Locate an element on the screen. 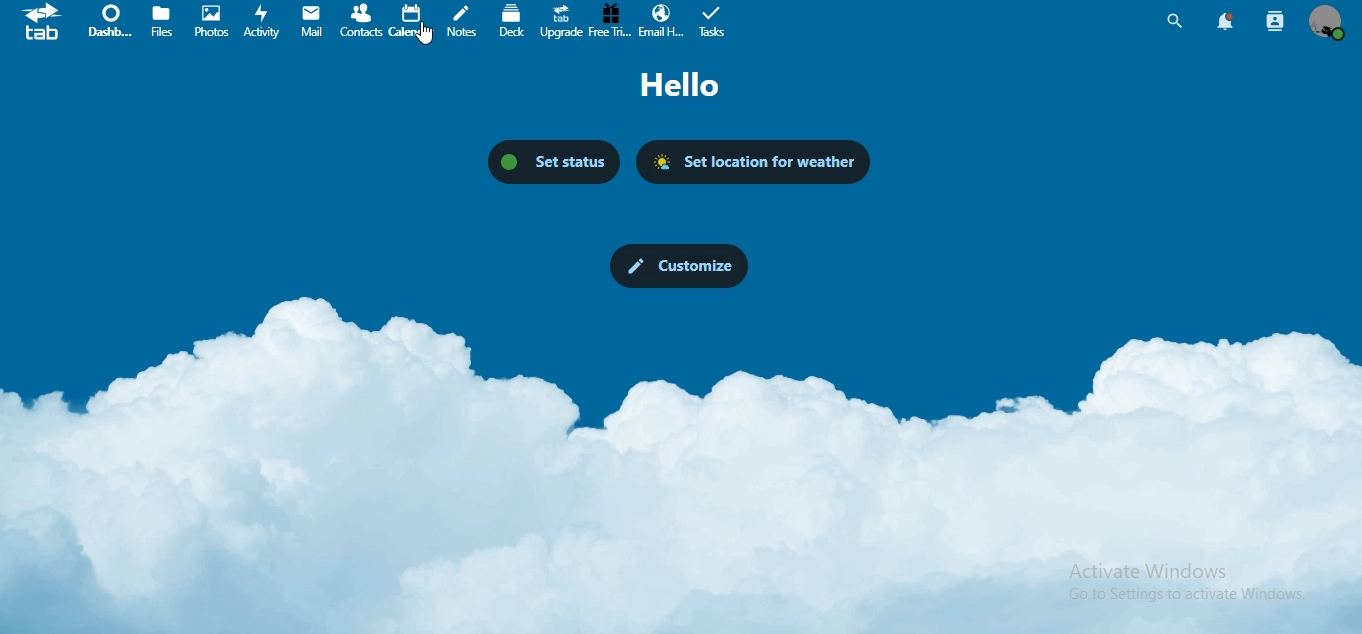  free trial is located at coordinates (610, 21).